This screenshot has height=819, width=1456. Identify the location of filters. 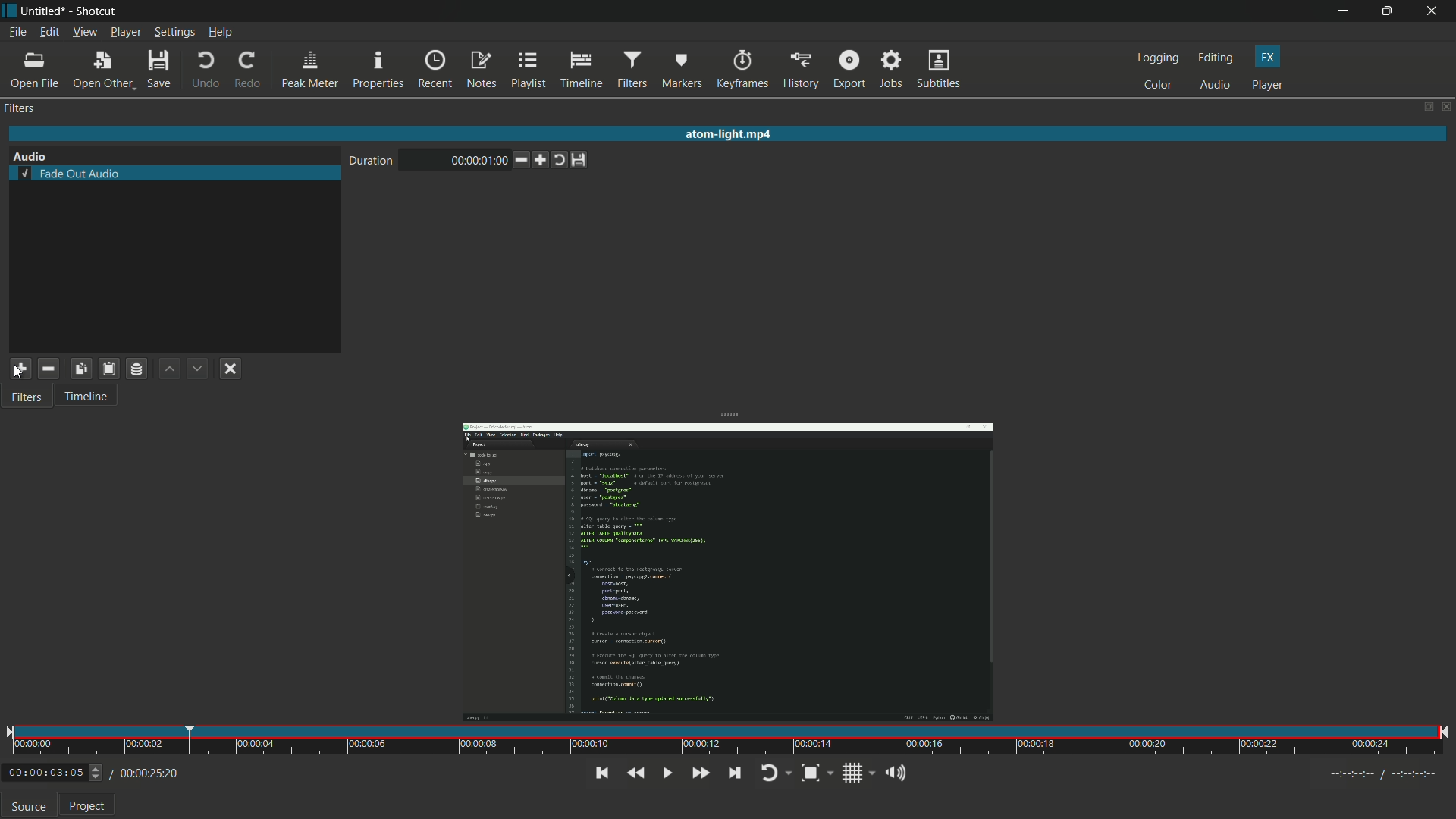
(25, 398).